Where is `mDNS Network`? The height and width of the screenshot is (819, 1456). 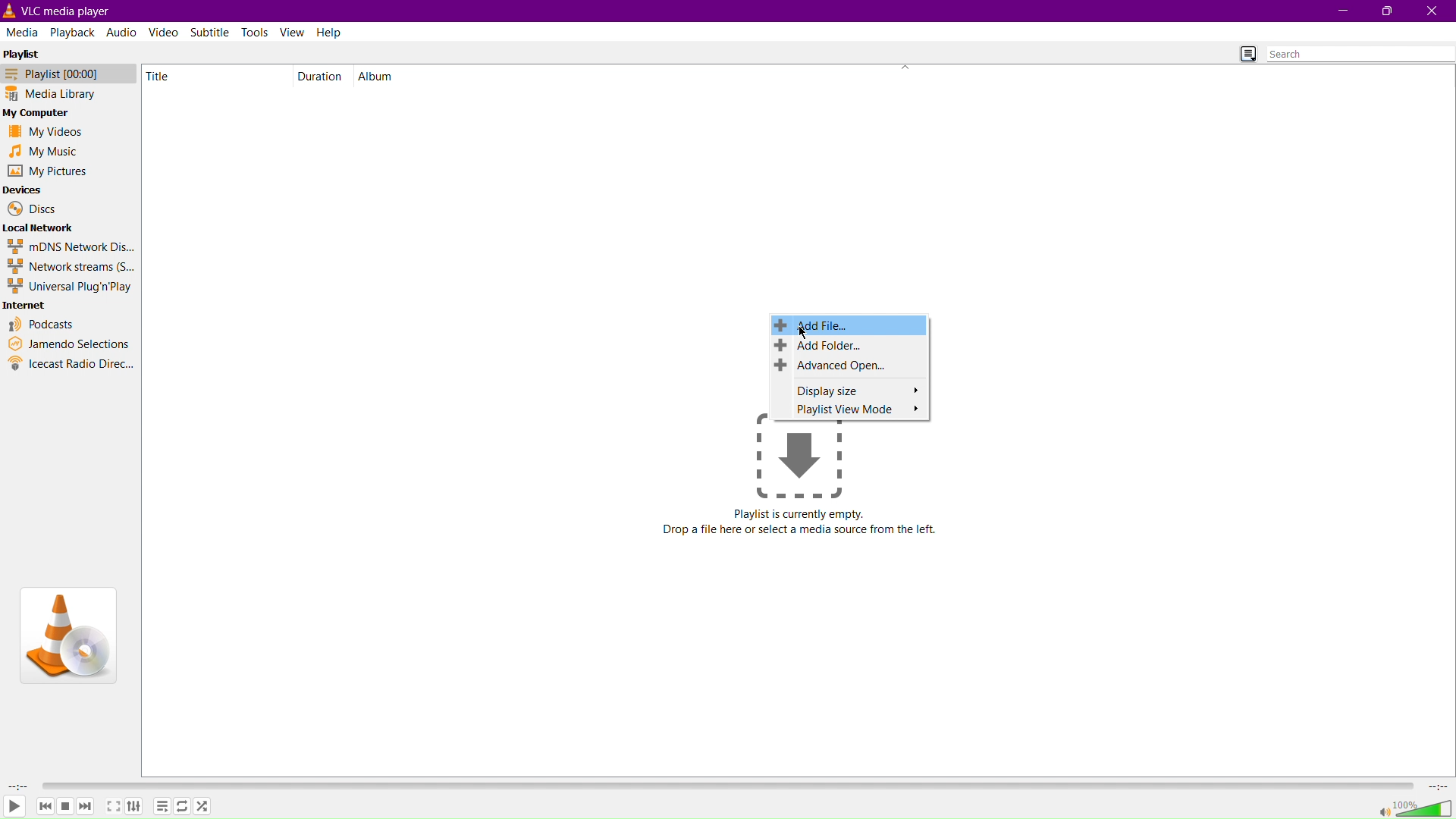 mDNS Network is located at coordinates (69, 246).